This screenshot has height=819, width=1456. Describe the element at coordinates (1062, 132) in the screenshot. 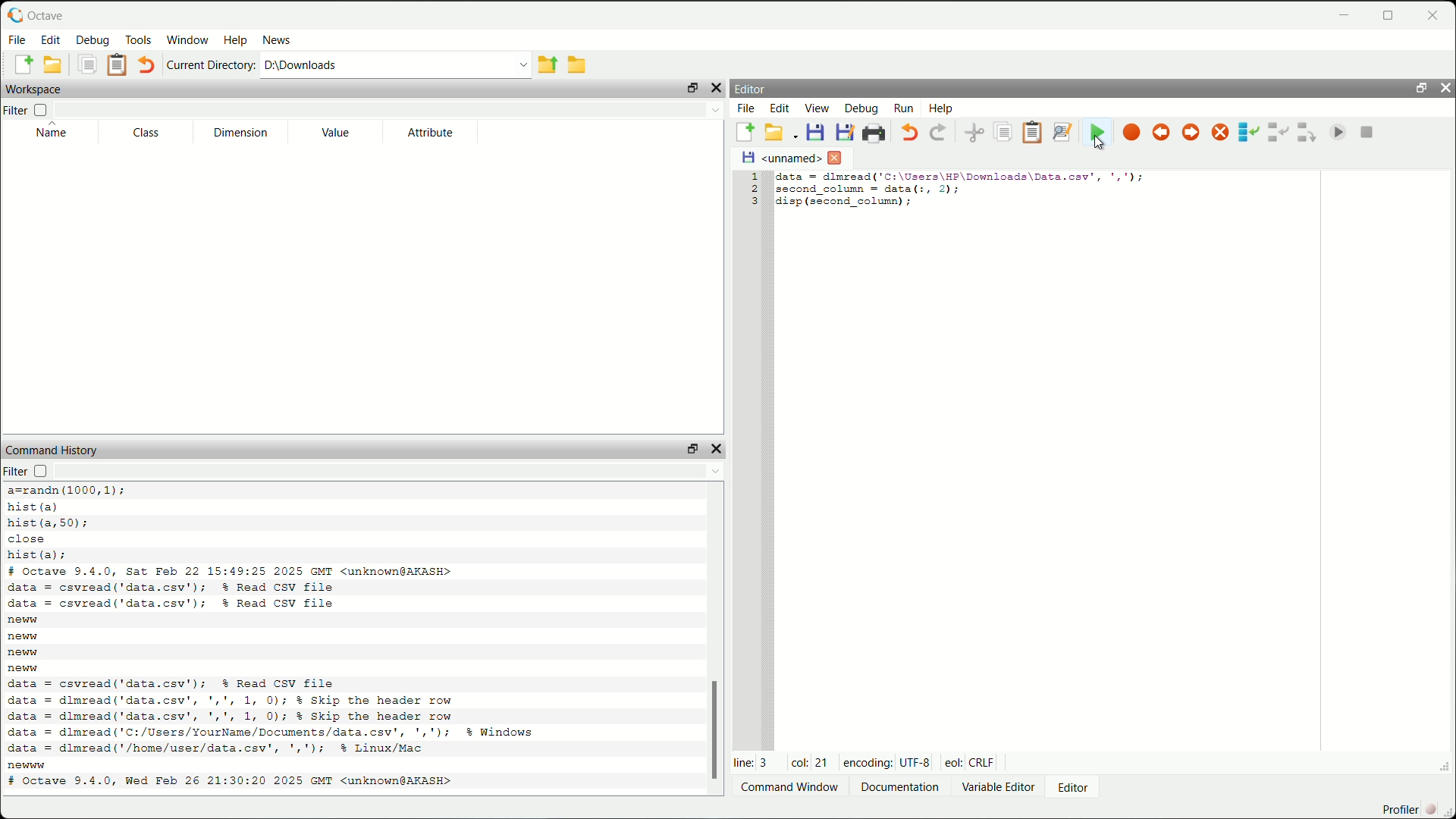

I see `find and replace` at that location.